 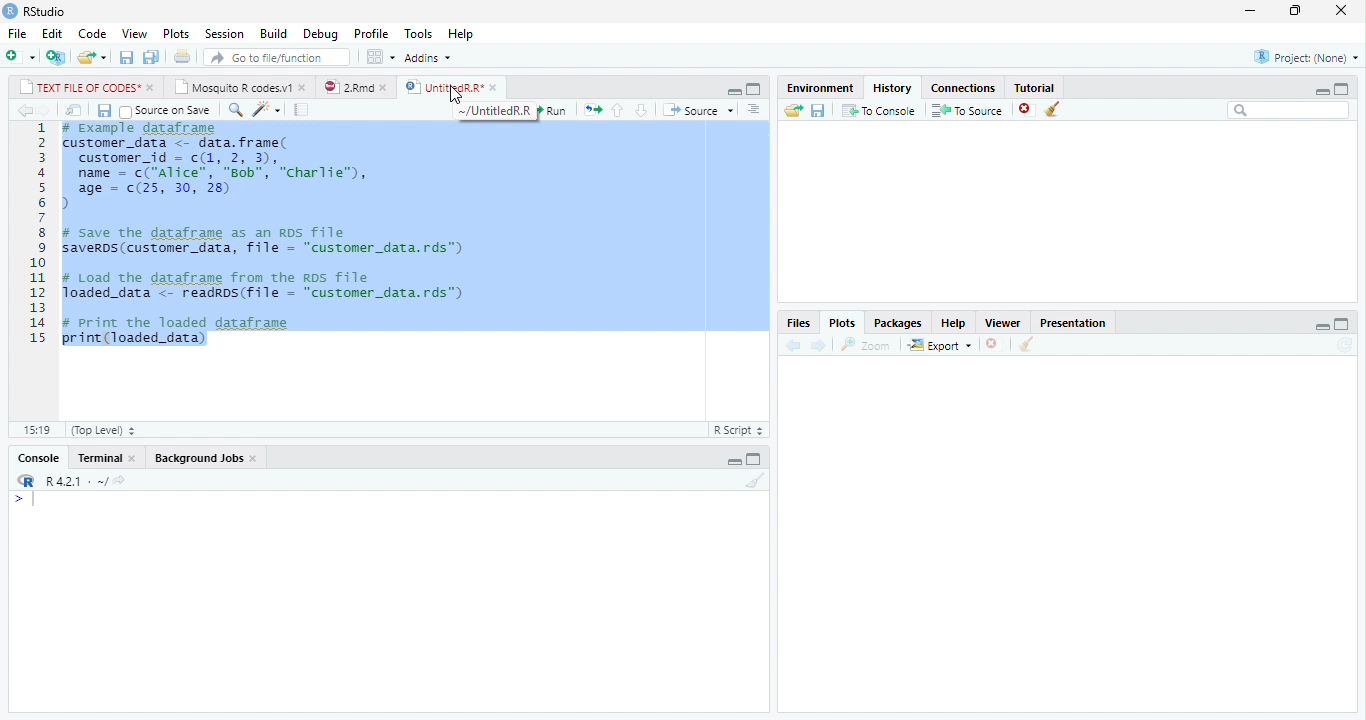 What do you see at coordinates (496, 87) in the screenshot?
I see `close` at bounding box center [496, 87].